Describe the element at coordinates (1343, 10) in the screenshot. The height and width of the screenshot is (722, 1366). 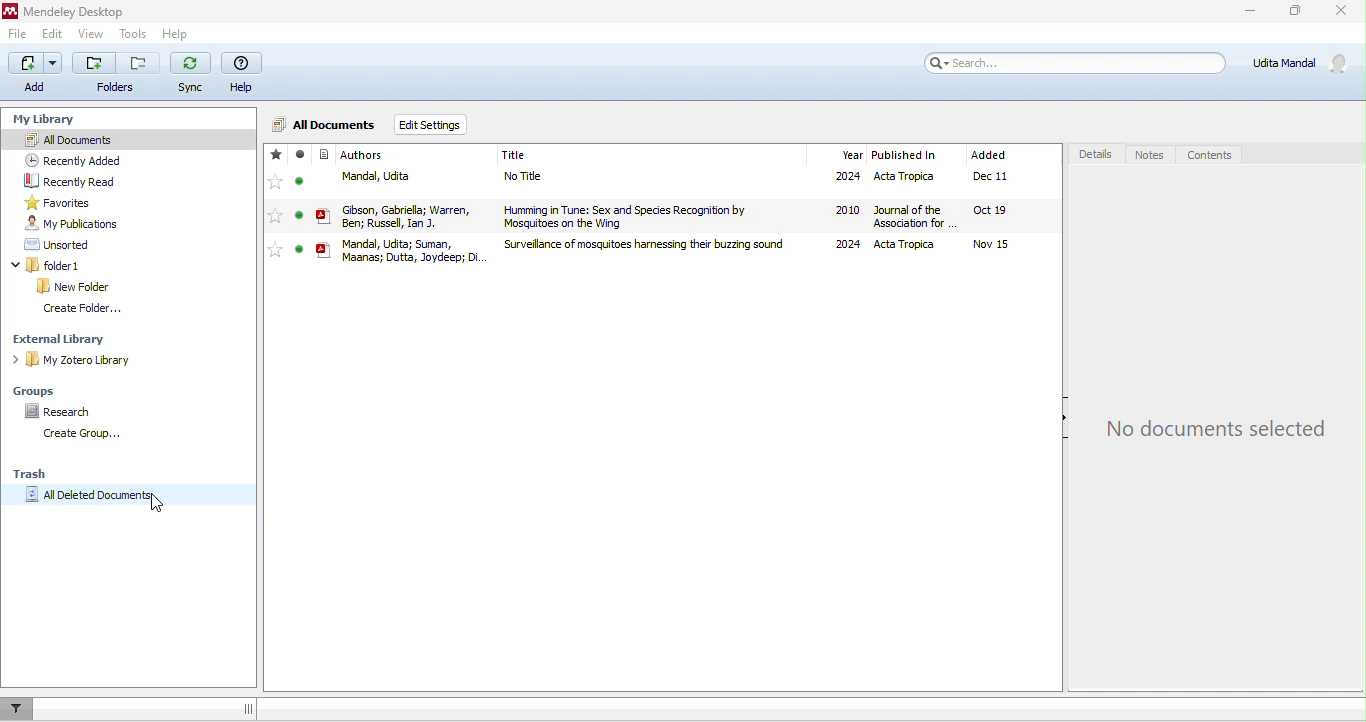
I see `close` at that location.